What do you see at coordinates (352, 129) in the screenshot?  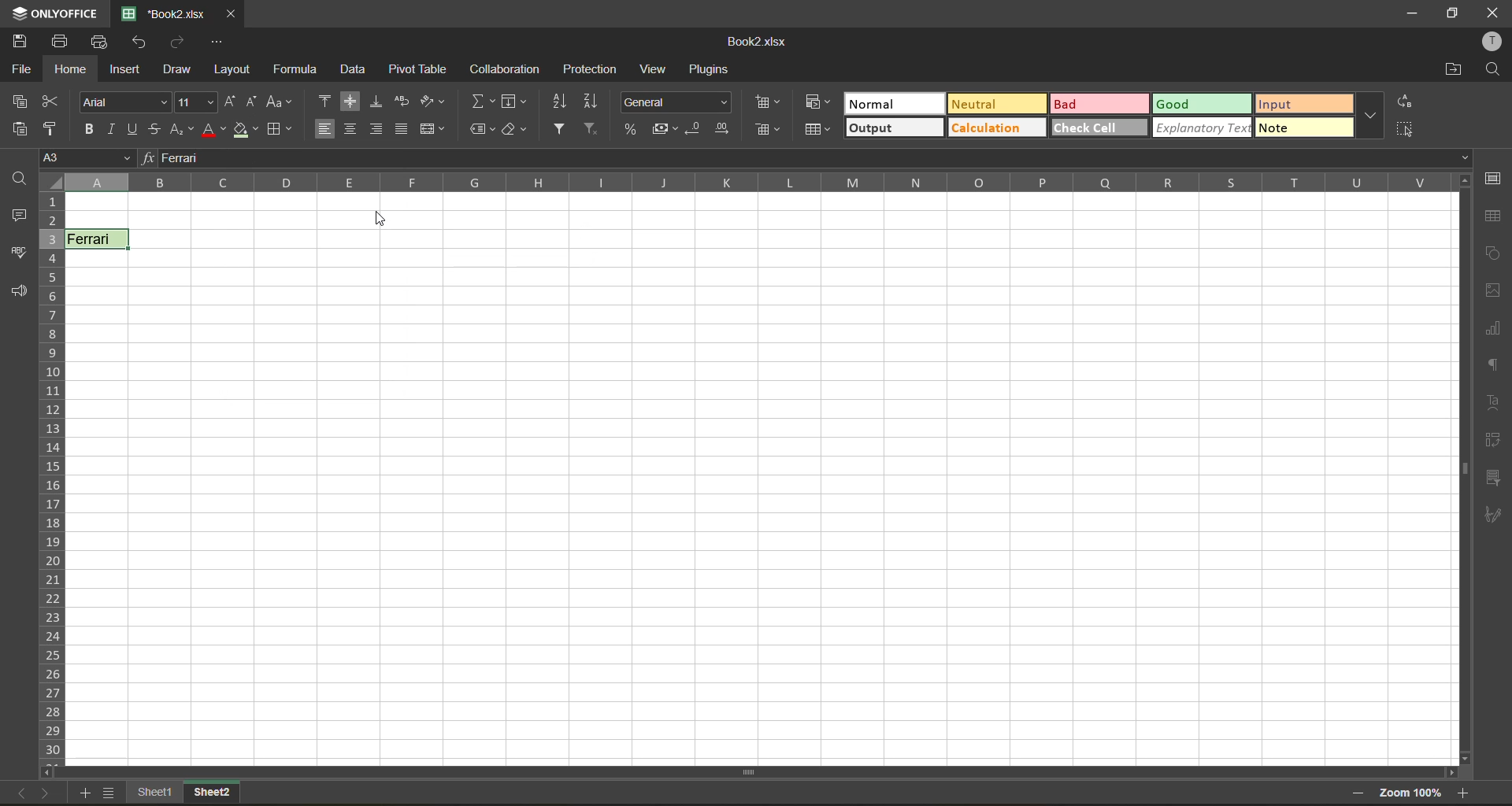 I see `align center` at bounding box center [352, 129].